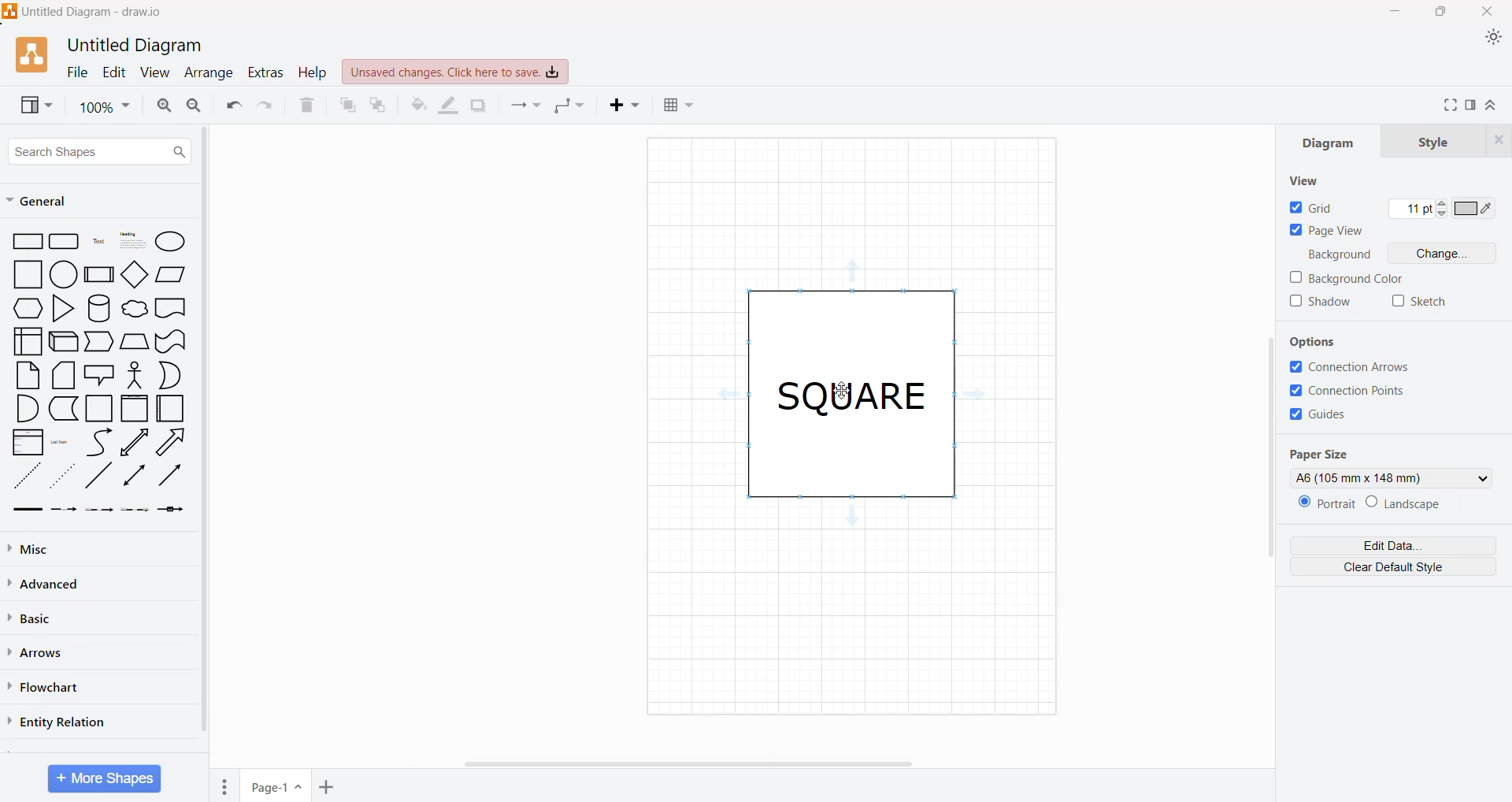  What do you see at coordinates (1311, 206) in the screenshot?
I see `Grid - Click to enable/disable` at bounding box center [1311, 206].